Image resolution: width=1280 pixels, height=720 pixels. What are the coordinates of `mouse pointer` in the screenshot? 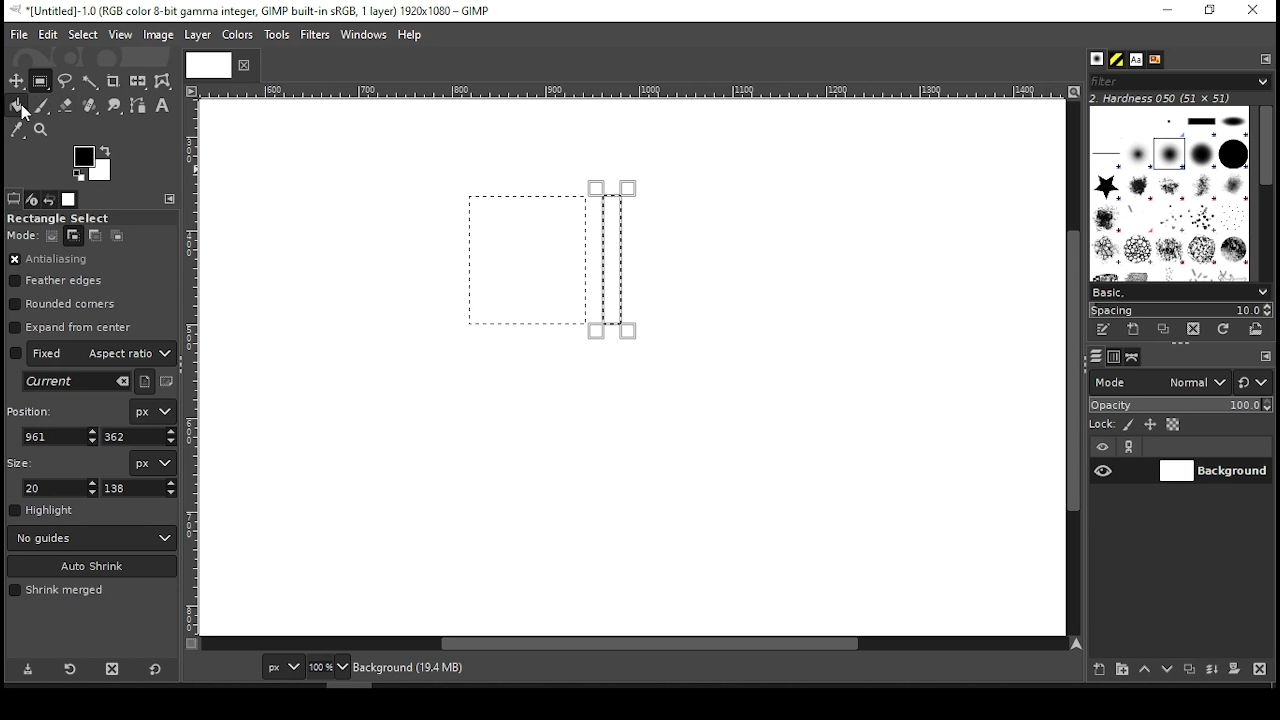 It's located at (27, 114).